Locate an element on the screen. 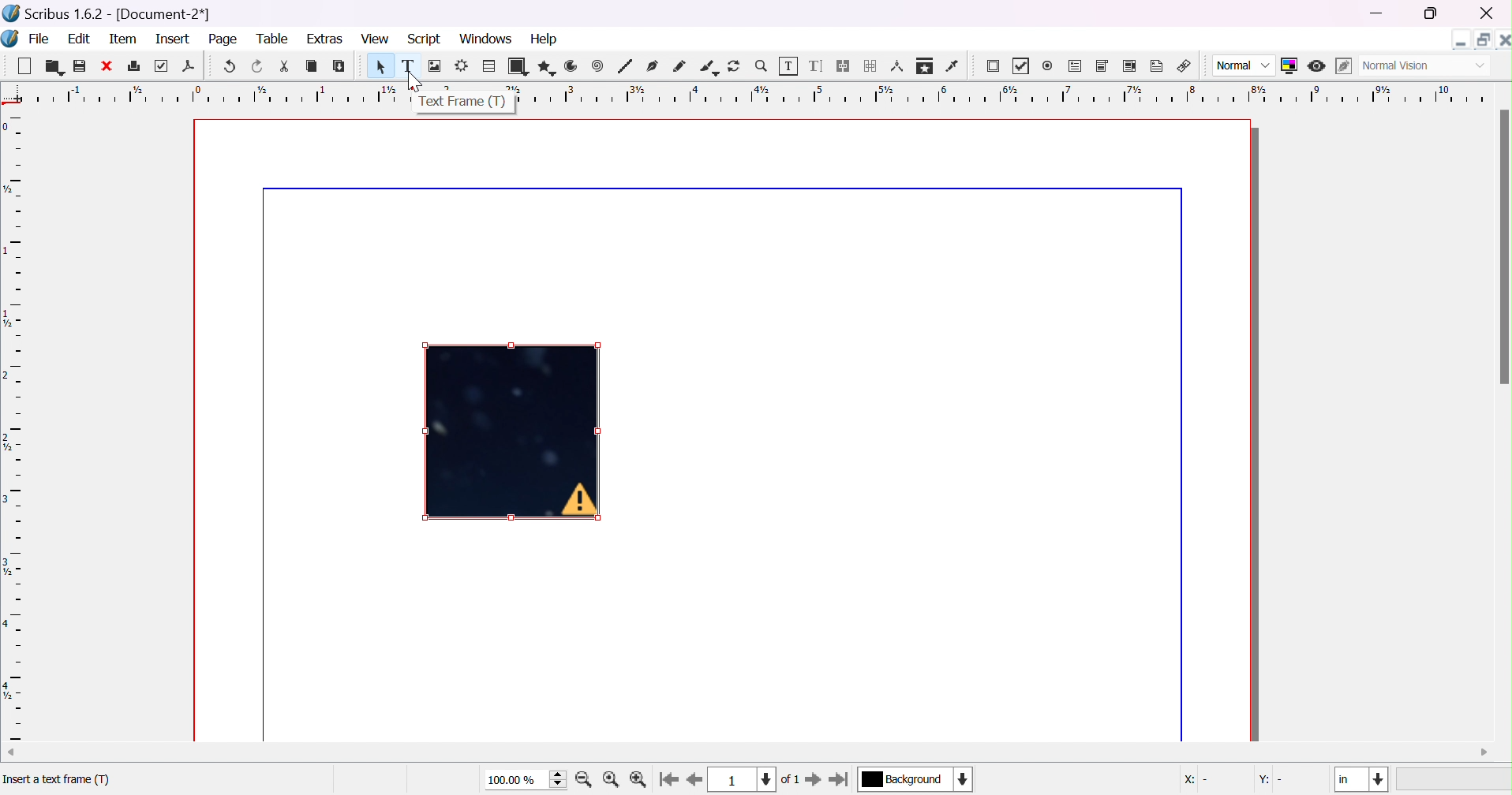 The height and width of the screenshot is (795, 1512). zoom in/out is located at coordinates (762, 65).